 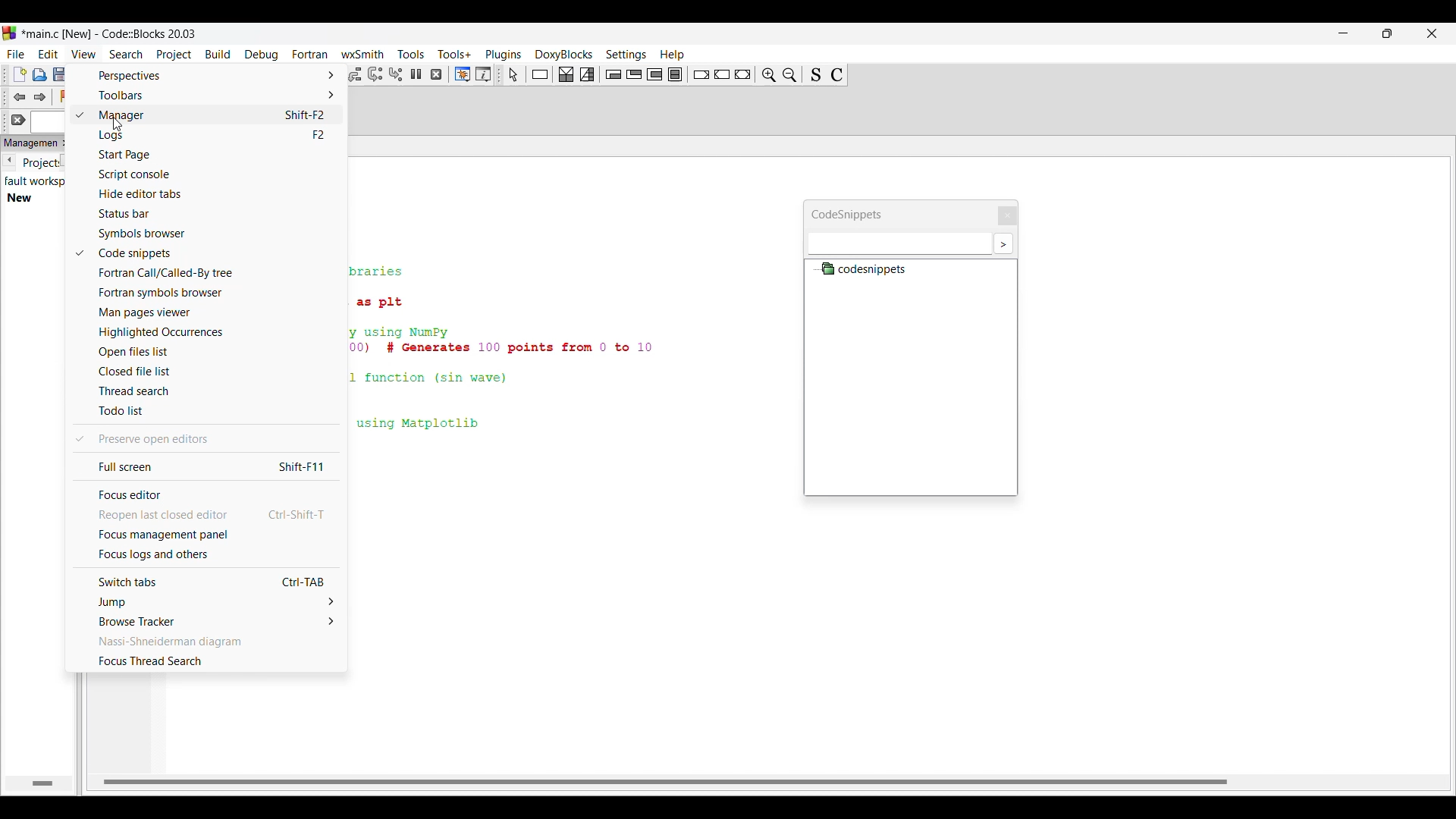 I want to click on Codesnippets file, so click(x=869, y=270).